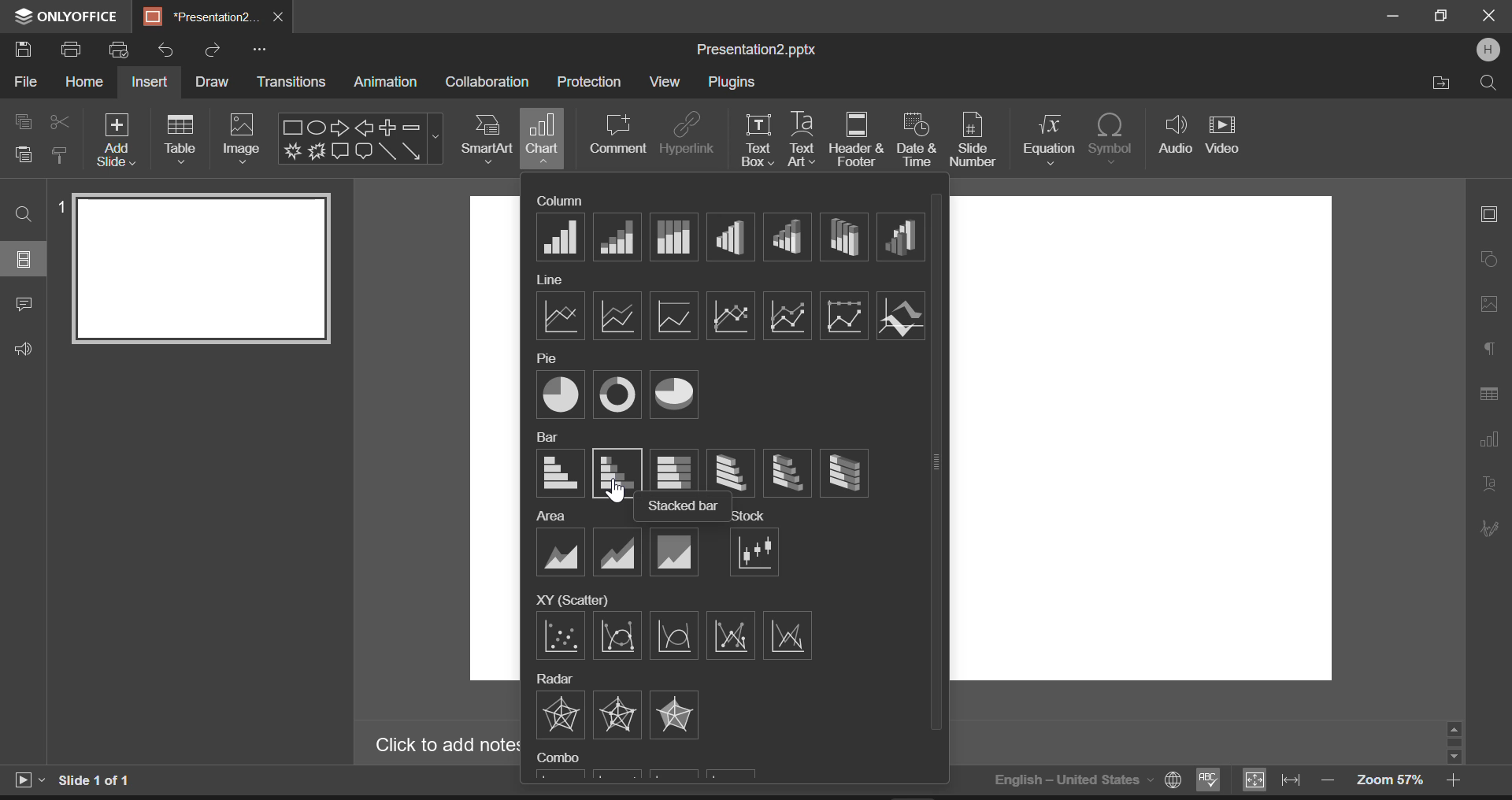 Image resolution: width=1512 pixels, height=800 pixels. I want to click on Add Slide, so click(117, 139).